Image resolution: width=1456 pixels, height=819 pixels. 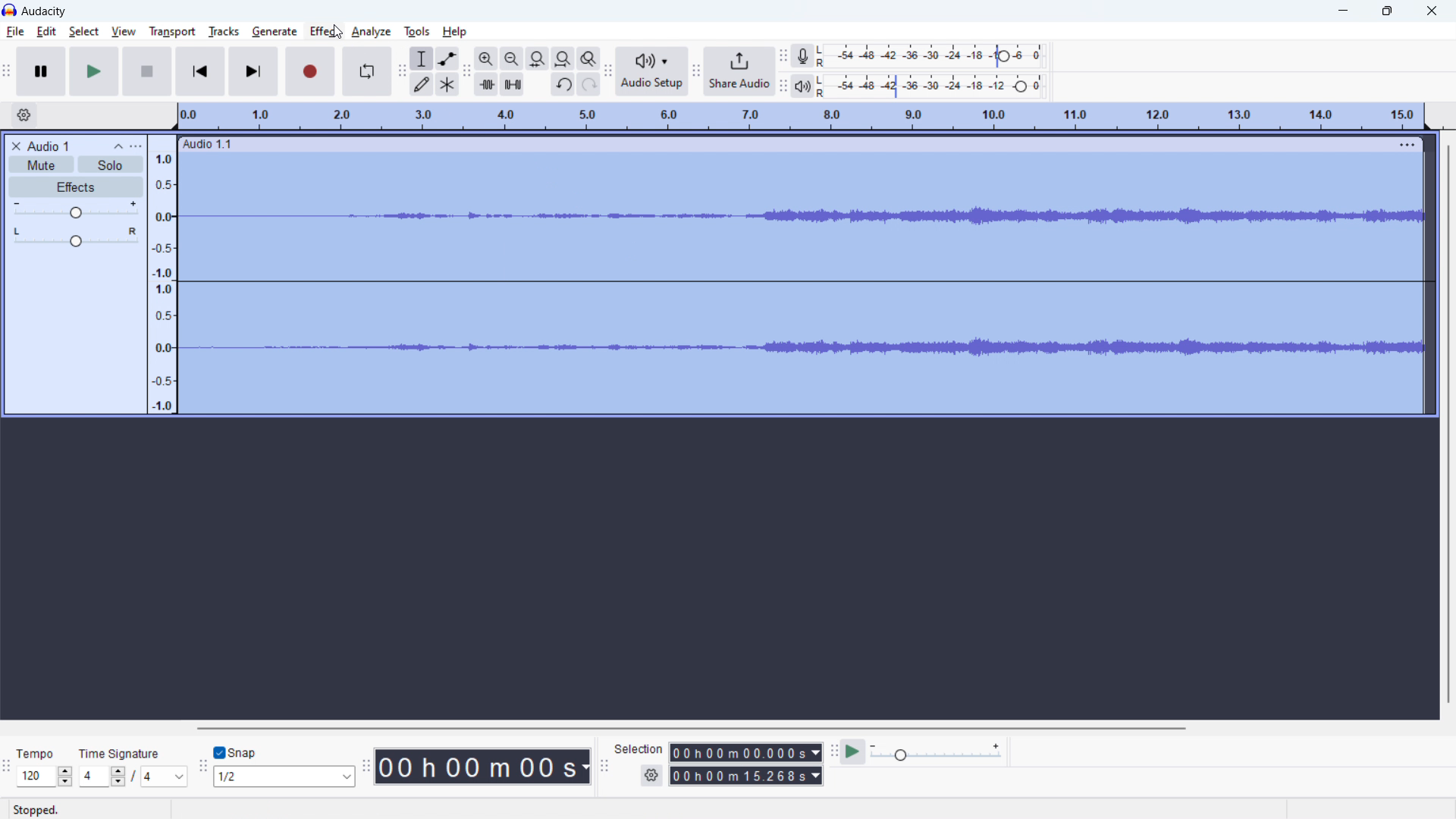 What do you see at coordinates (110, 165) in the screenshot?
I see `solo` at bounding box center [110, 165].